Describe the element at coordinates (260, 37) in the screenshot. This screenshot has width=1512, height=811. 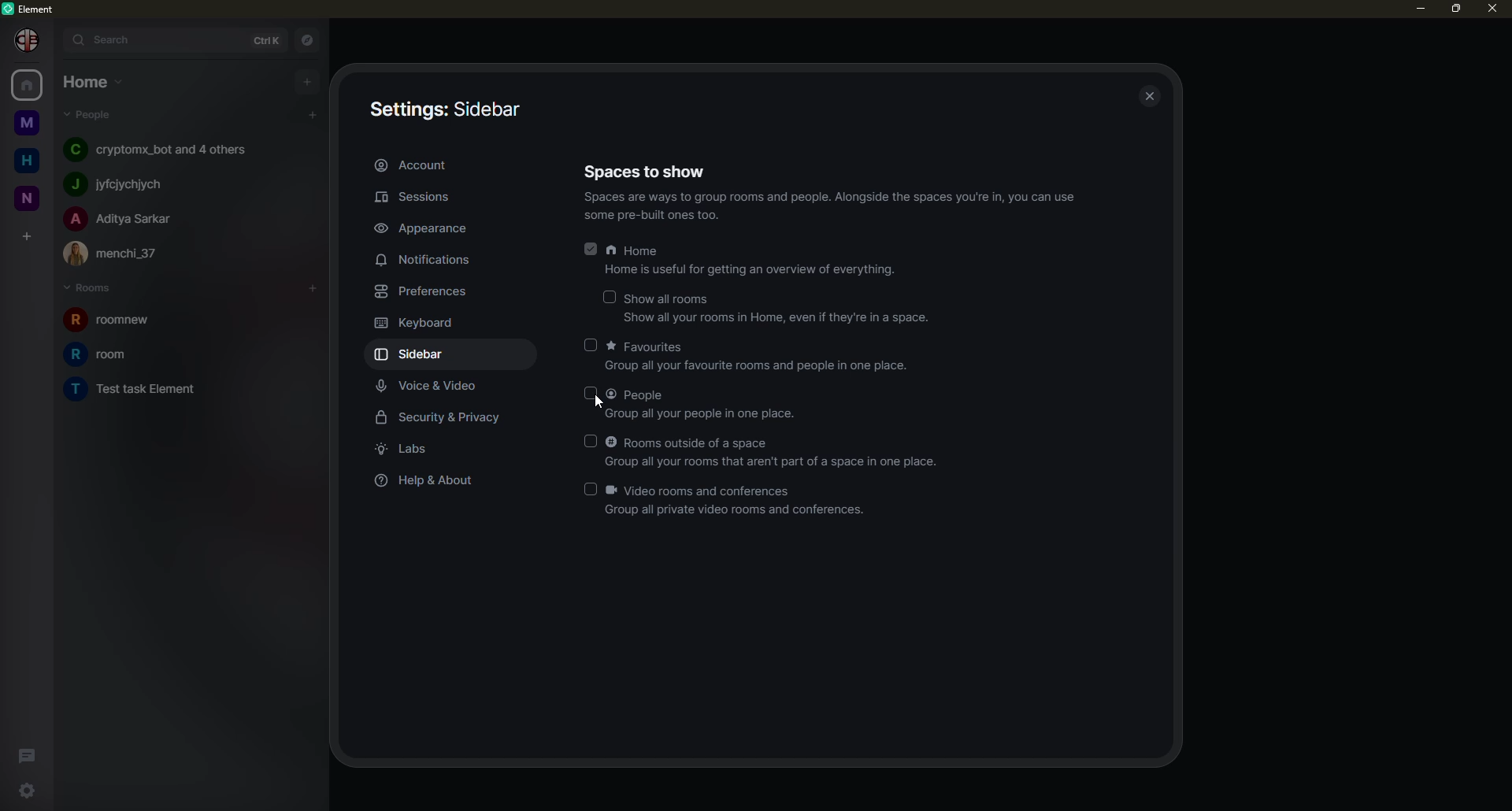
I see `ctrl K` at that location.